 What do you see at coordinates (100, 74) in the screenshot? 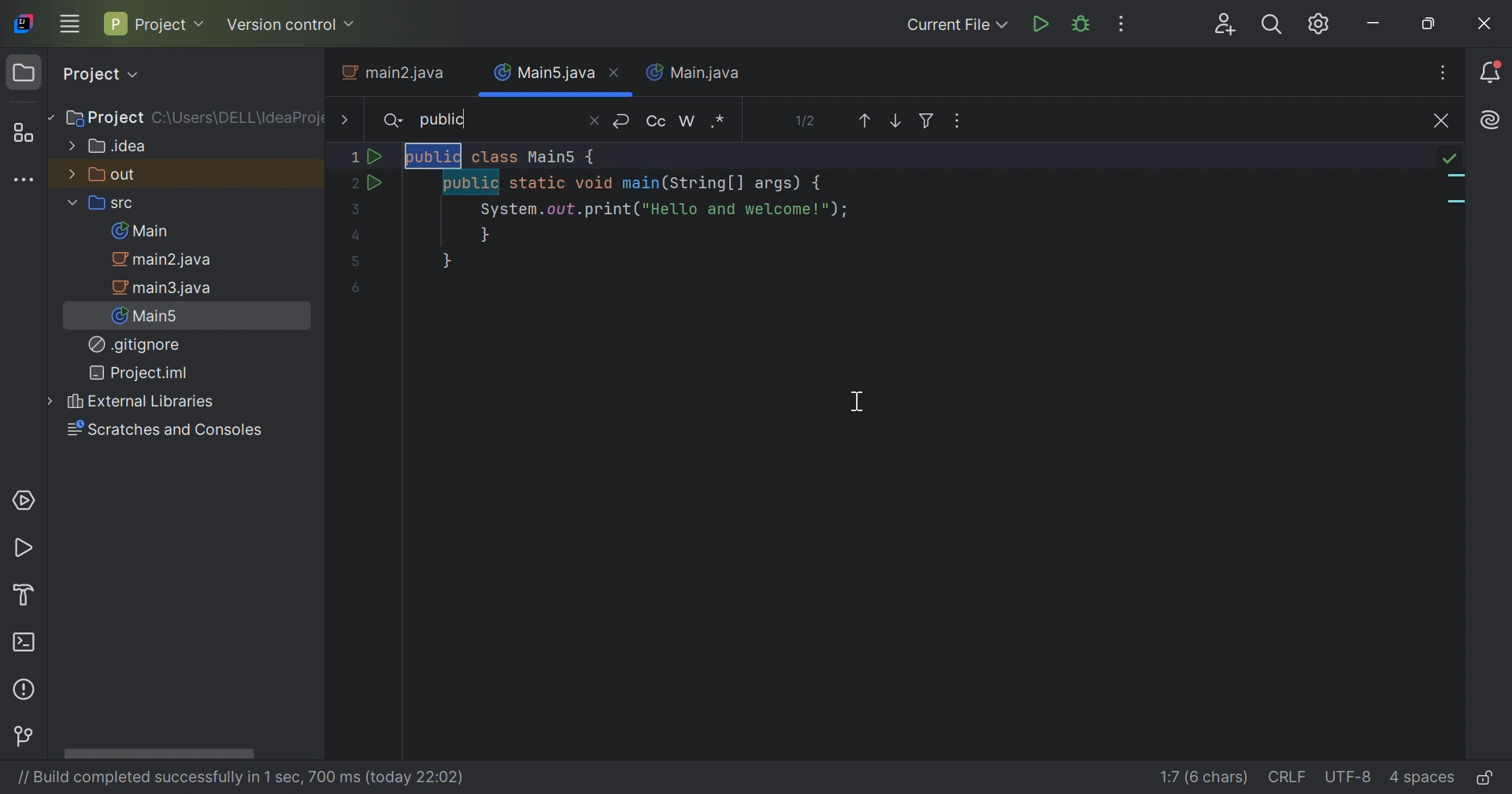
I see `Project` at bounding box center [100, 74].